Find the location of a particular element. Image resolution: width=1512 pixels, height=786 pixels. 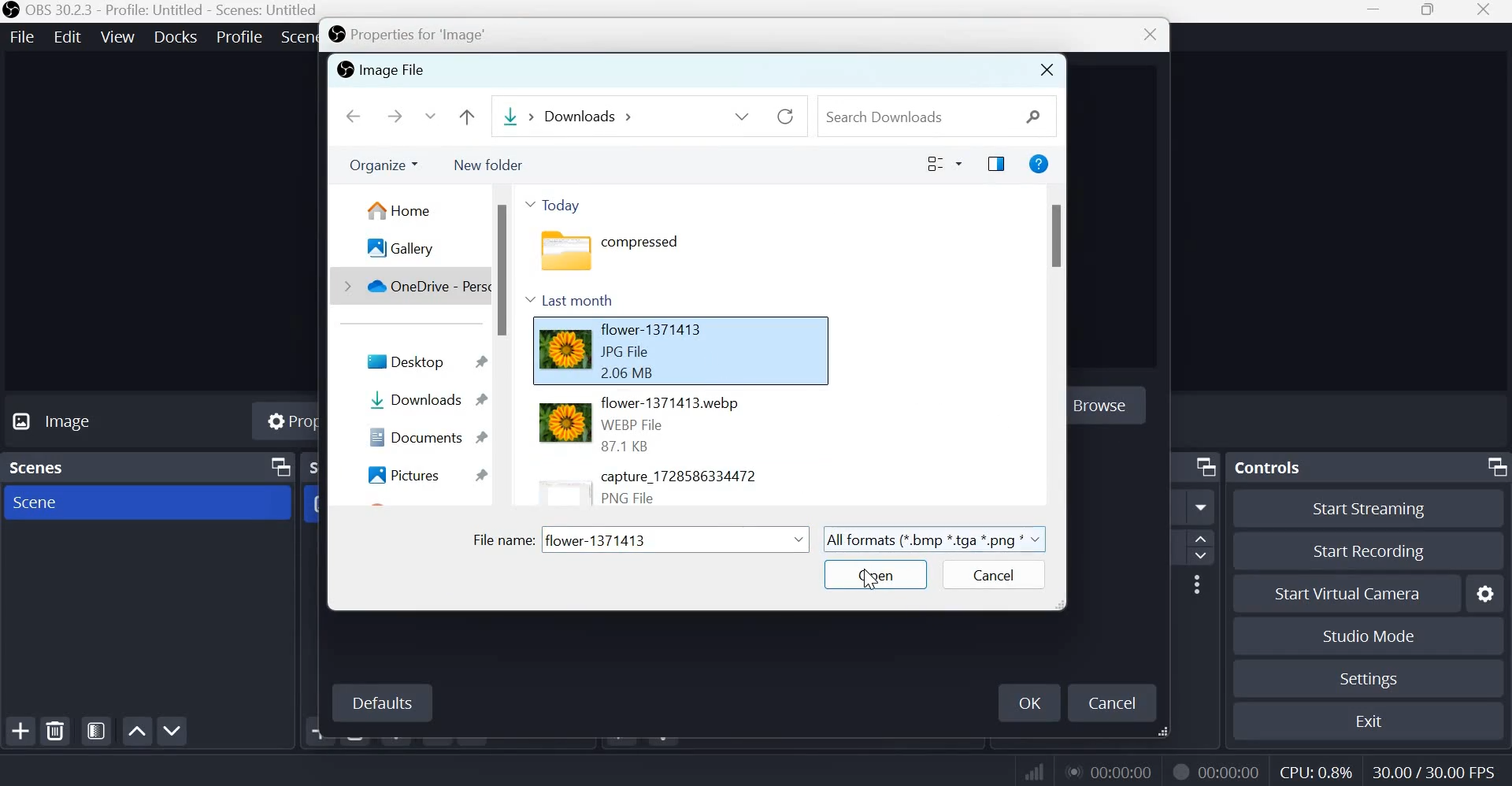

No source selected is located at coordinates (87, 424).